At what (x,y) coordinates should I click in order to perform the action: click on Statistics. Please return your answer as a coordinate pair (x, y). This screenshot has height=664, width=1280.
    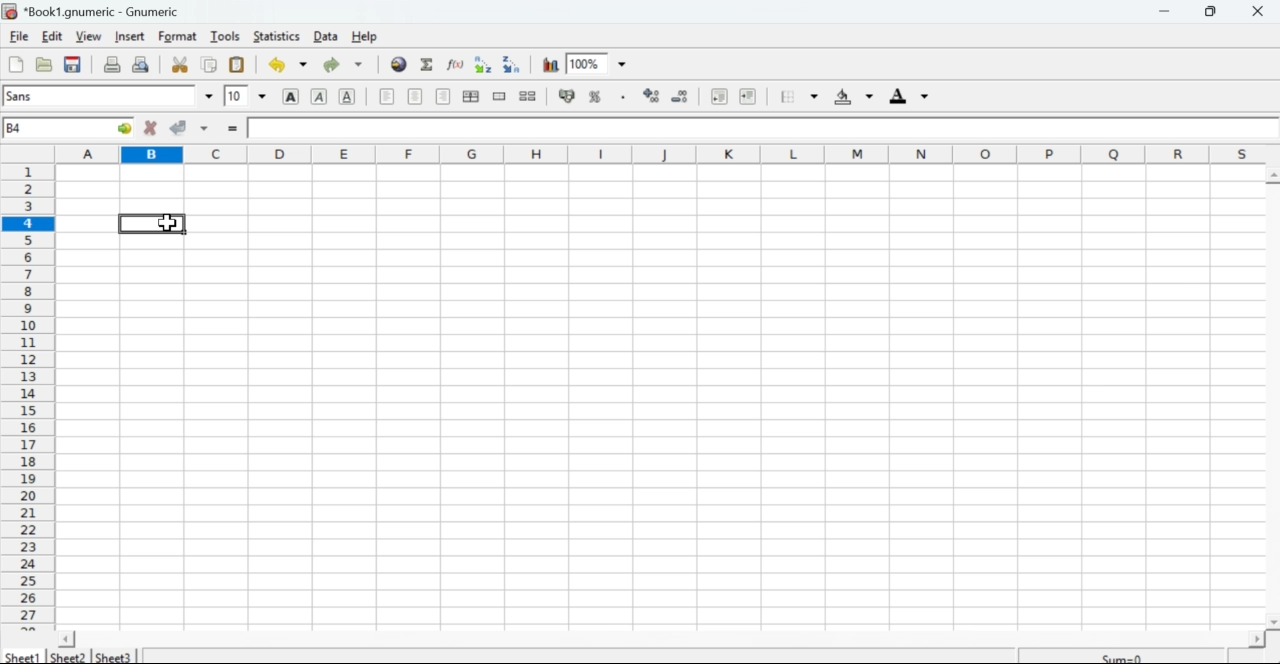
    Looking at the image, I should click on (276, 36).